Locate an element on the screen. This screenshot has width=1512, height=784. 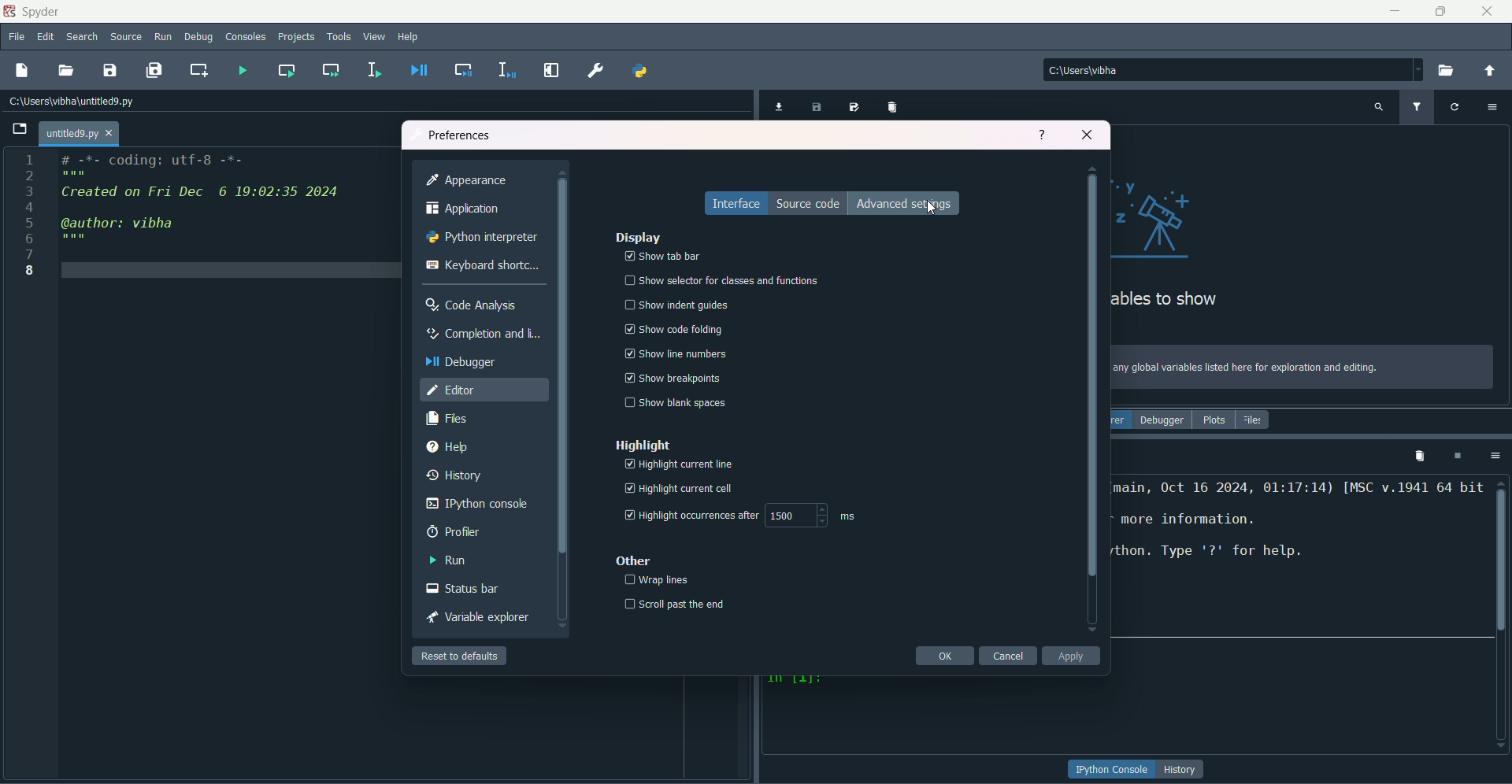
python interpreter is located at coordinates (483, 238).